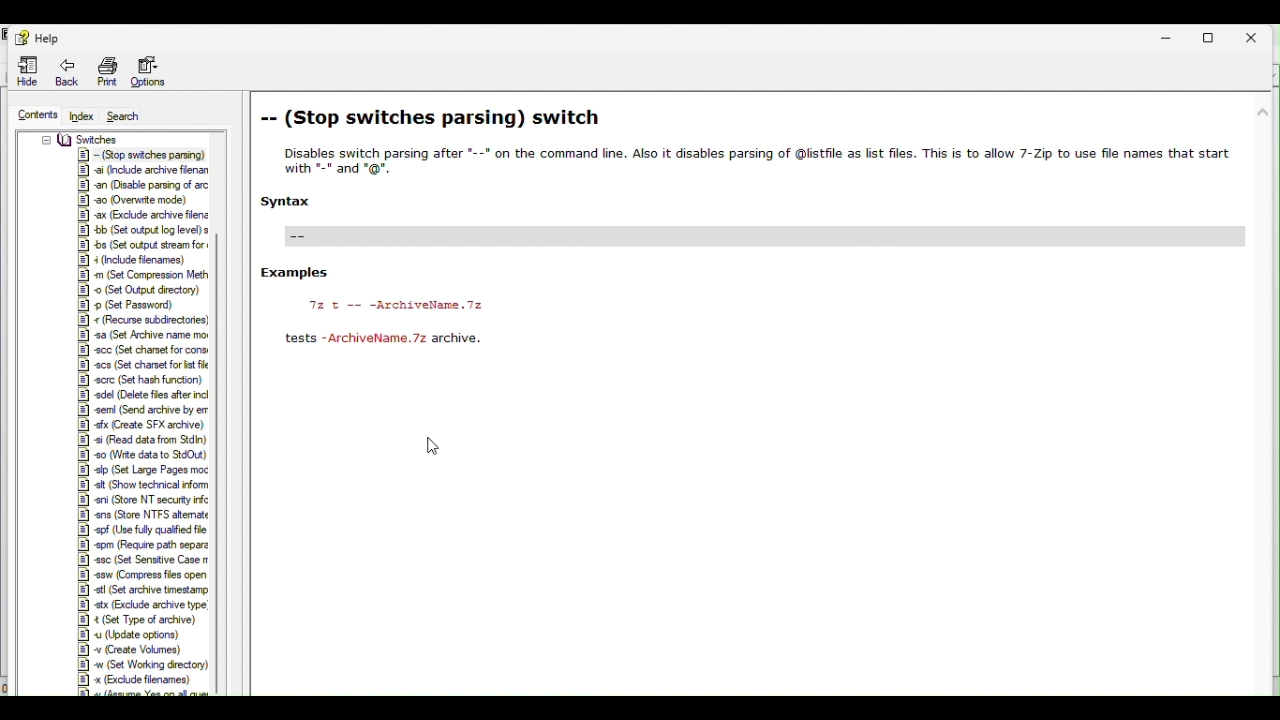 The width and height of the screenshot is (1280, 720). What do you see at coordinates (24, 70) in the screenshot?
I see `Hide` at bounding box center [24, 70].